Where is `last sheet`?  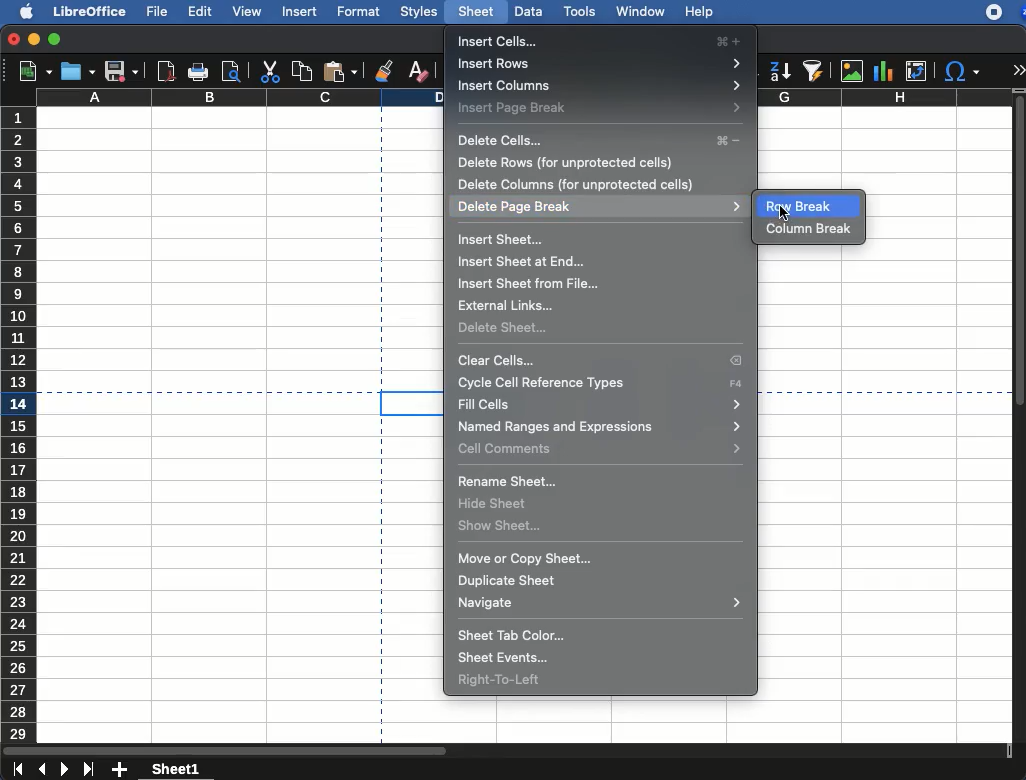 last sheet is located at coordinates (17, 770).